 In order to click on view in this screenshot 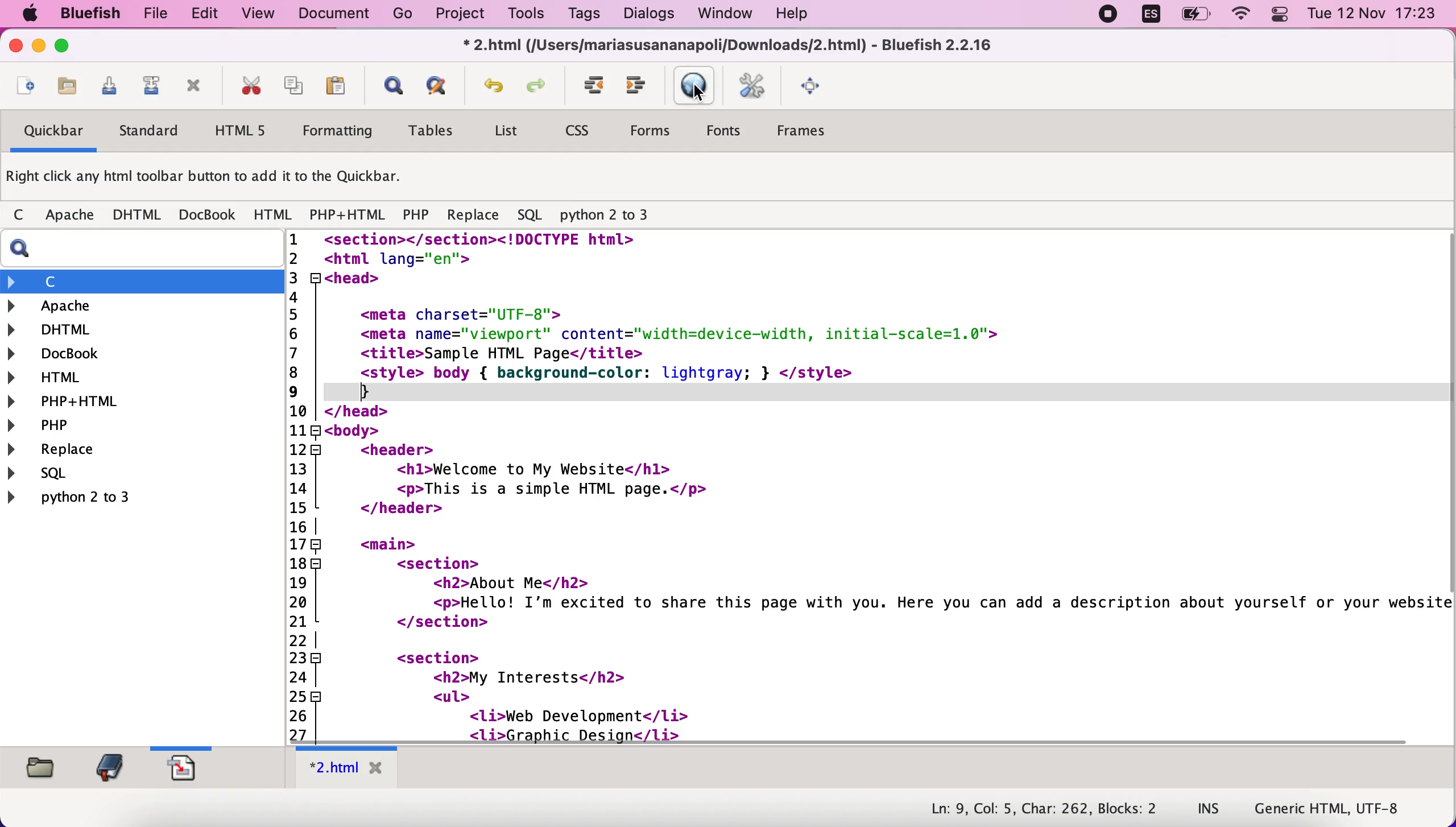, I will do `click(258, 16)`.